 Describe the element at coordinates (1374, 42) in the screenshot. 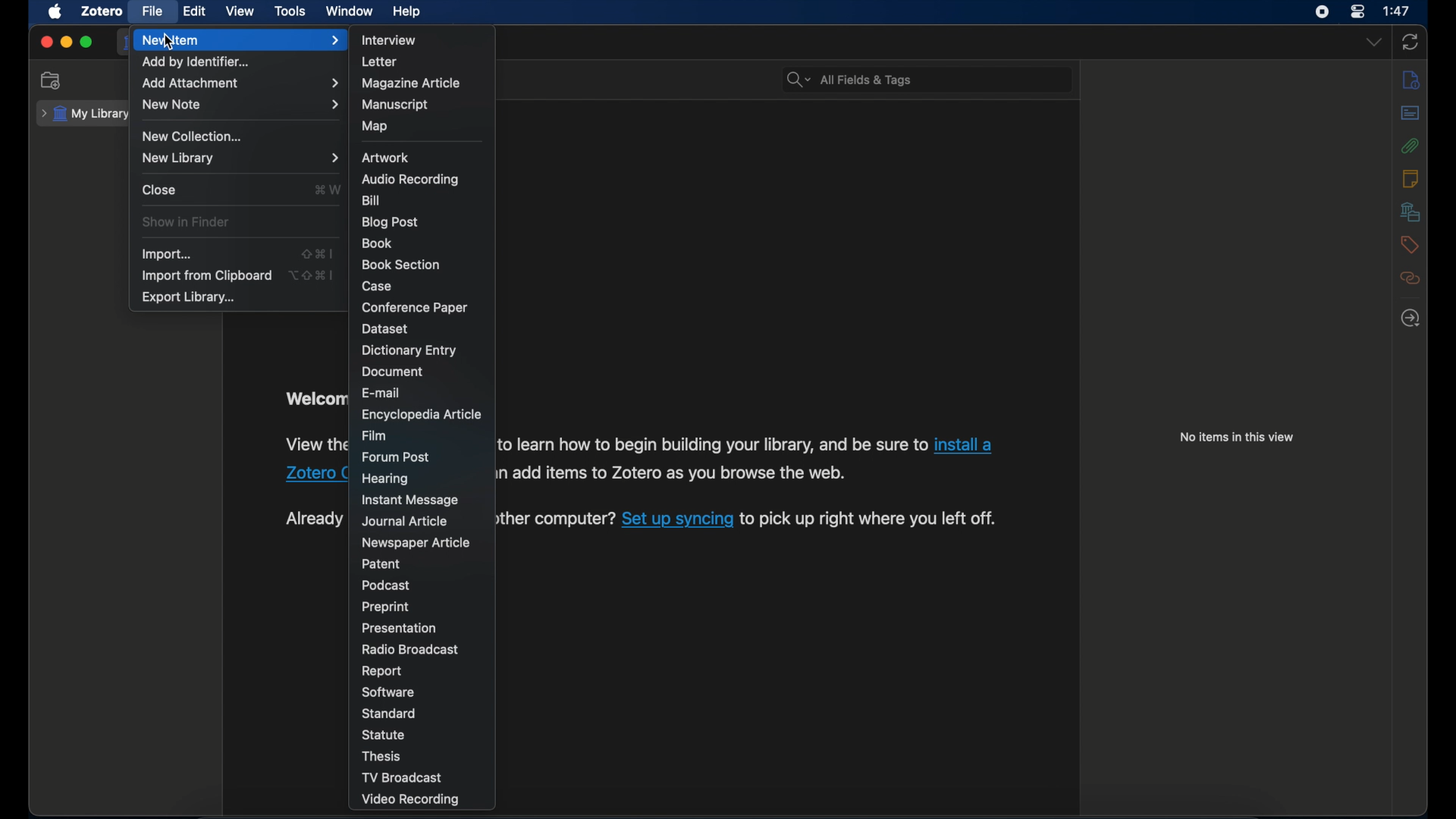

I see `dropdown` at that location.